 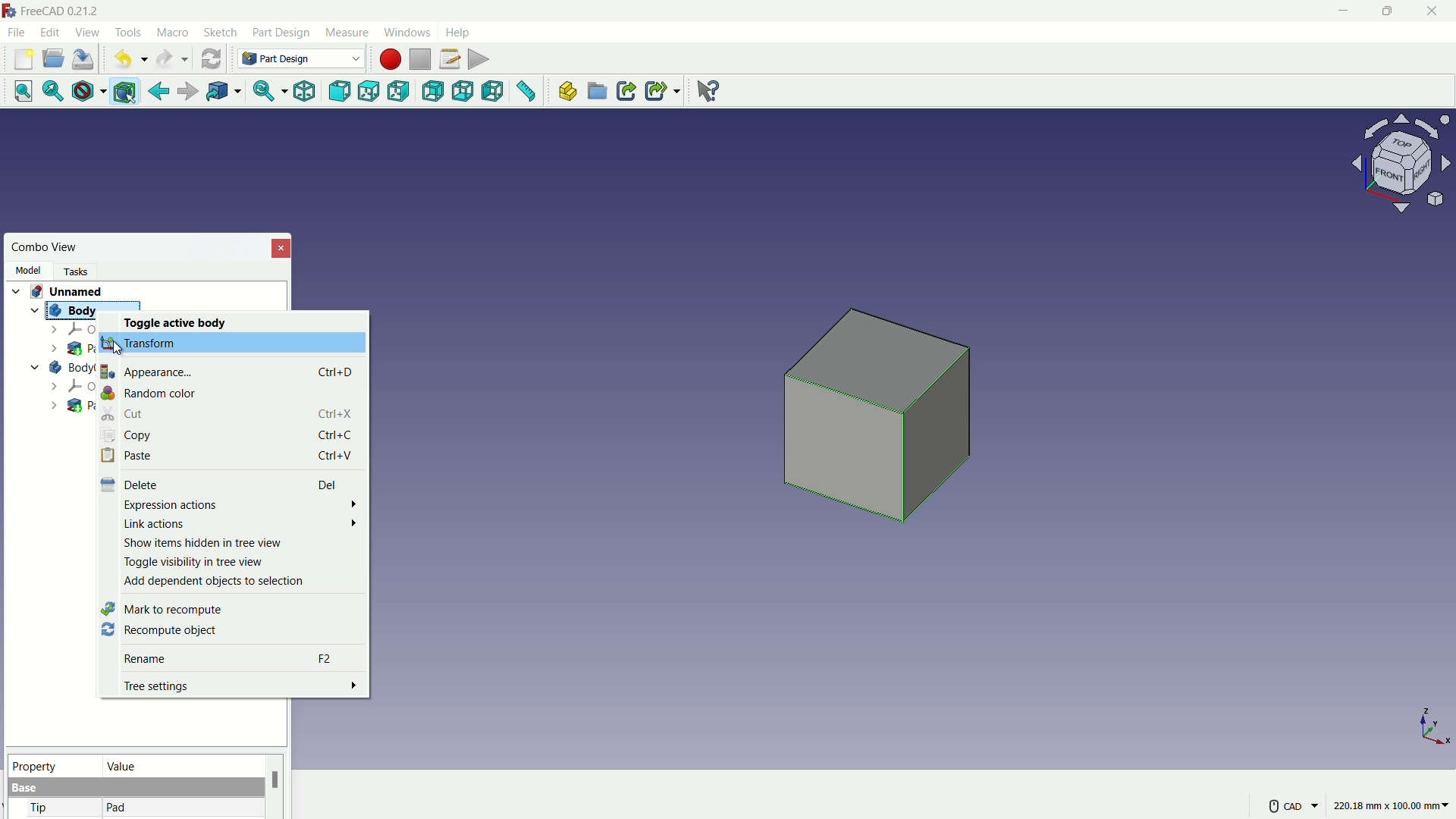 What do you see at coordinates (121, 349) in the screenshot?
I see `cursor` at bounding box center [121, 349].